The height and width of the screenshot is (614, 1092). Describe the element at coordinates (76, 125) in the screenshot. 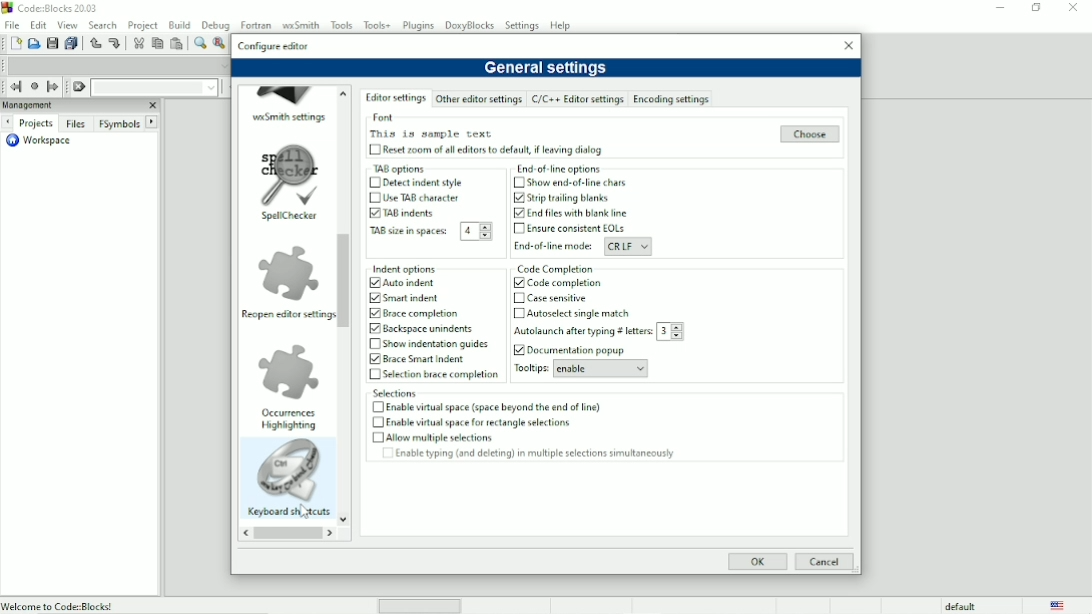

I see `Files` at that location.